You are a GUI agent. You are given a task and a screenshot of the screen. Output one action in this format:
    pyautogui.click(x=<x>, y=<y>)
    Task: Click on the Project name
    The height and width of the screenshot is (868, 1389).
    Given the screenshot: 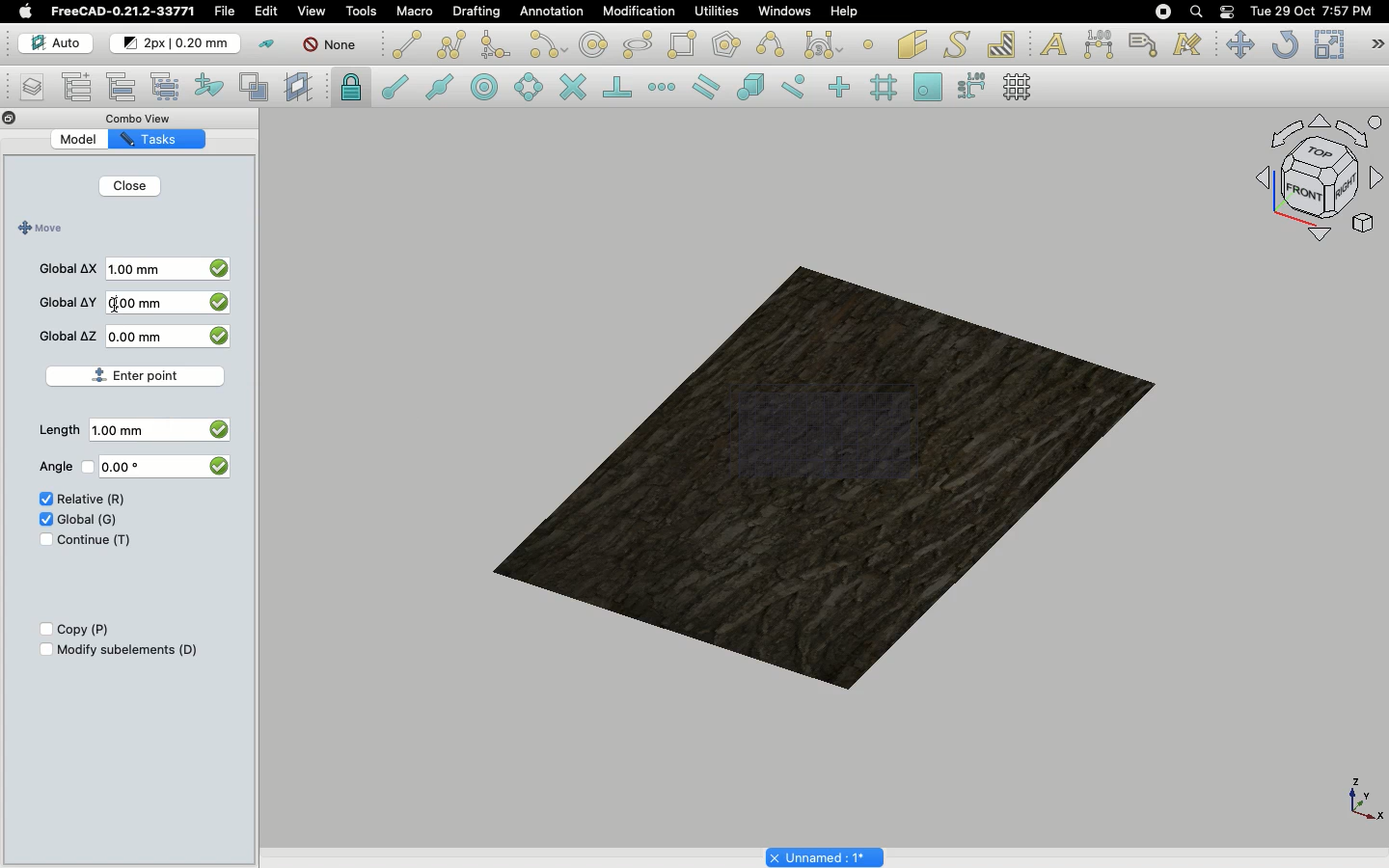 What is the action you would take?
    pyautogui.click(x=827, y=855)
    